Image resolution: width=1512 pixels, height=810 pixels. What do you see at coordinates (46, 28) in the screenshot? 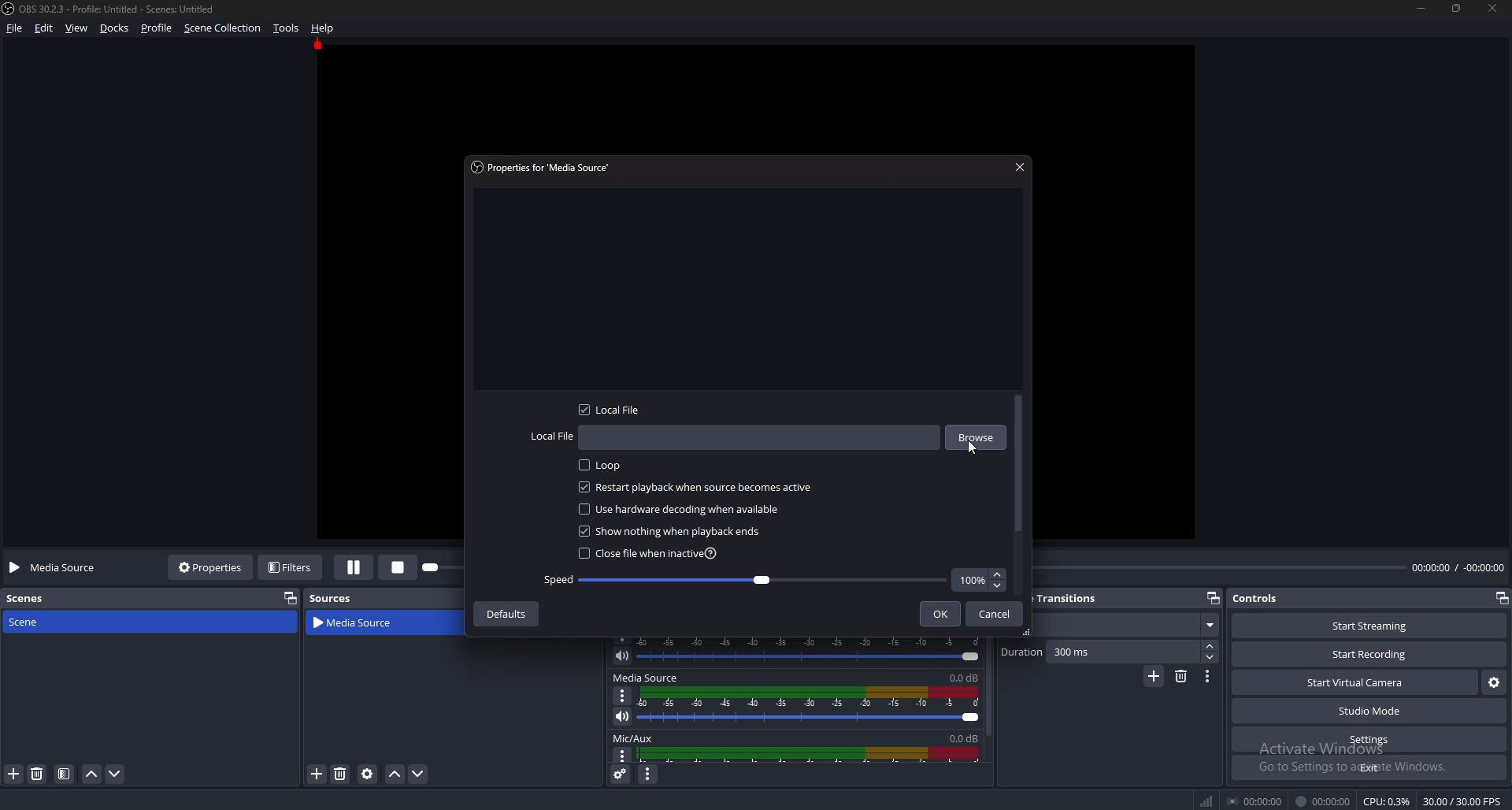
I see `Edit` at bounding box center [46, 28].